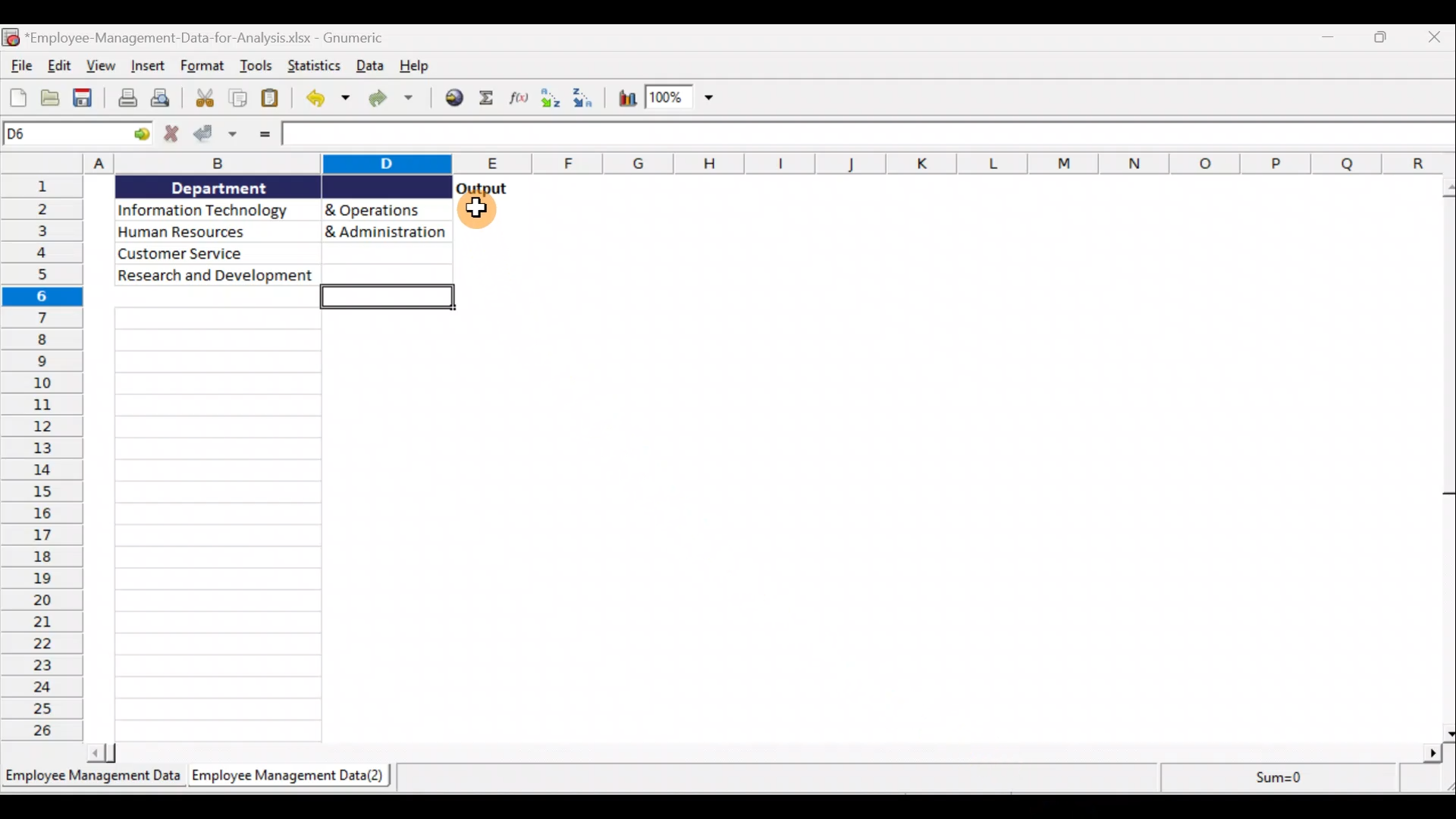 The width and height of the screenshot is (1456, 819). Describe the element at coordinates (482, 188) in the screenshot. I see `output` at that location.